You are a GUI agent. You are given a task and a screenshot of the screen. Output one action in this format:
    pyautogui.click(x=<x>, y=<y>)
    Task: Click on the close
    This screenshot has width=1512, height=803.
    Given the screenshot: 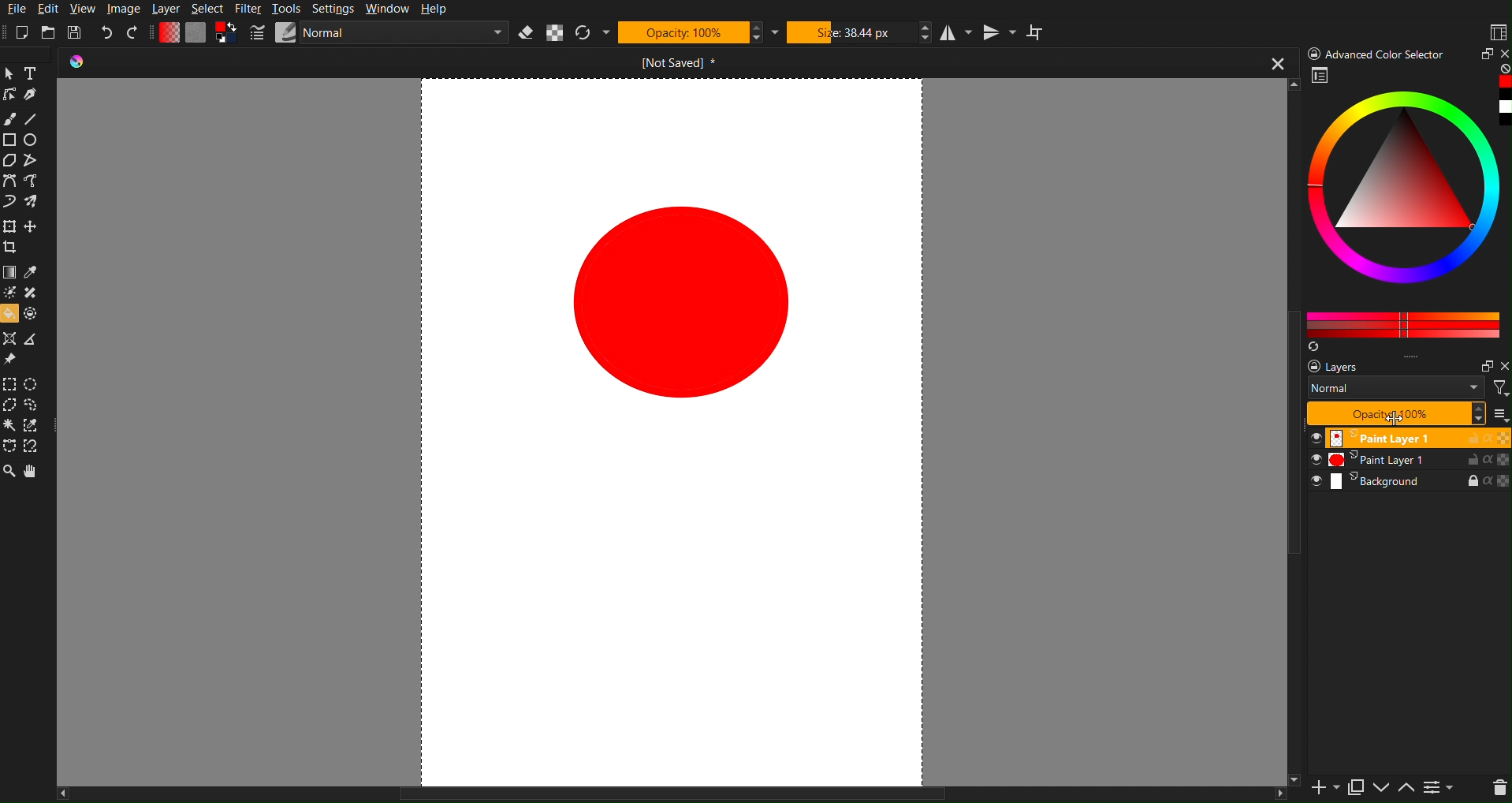 What is the action you would take?
    pyautogui.click(x=1279, y=67)
    